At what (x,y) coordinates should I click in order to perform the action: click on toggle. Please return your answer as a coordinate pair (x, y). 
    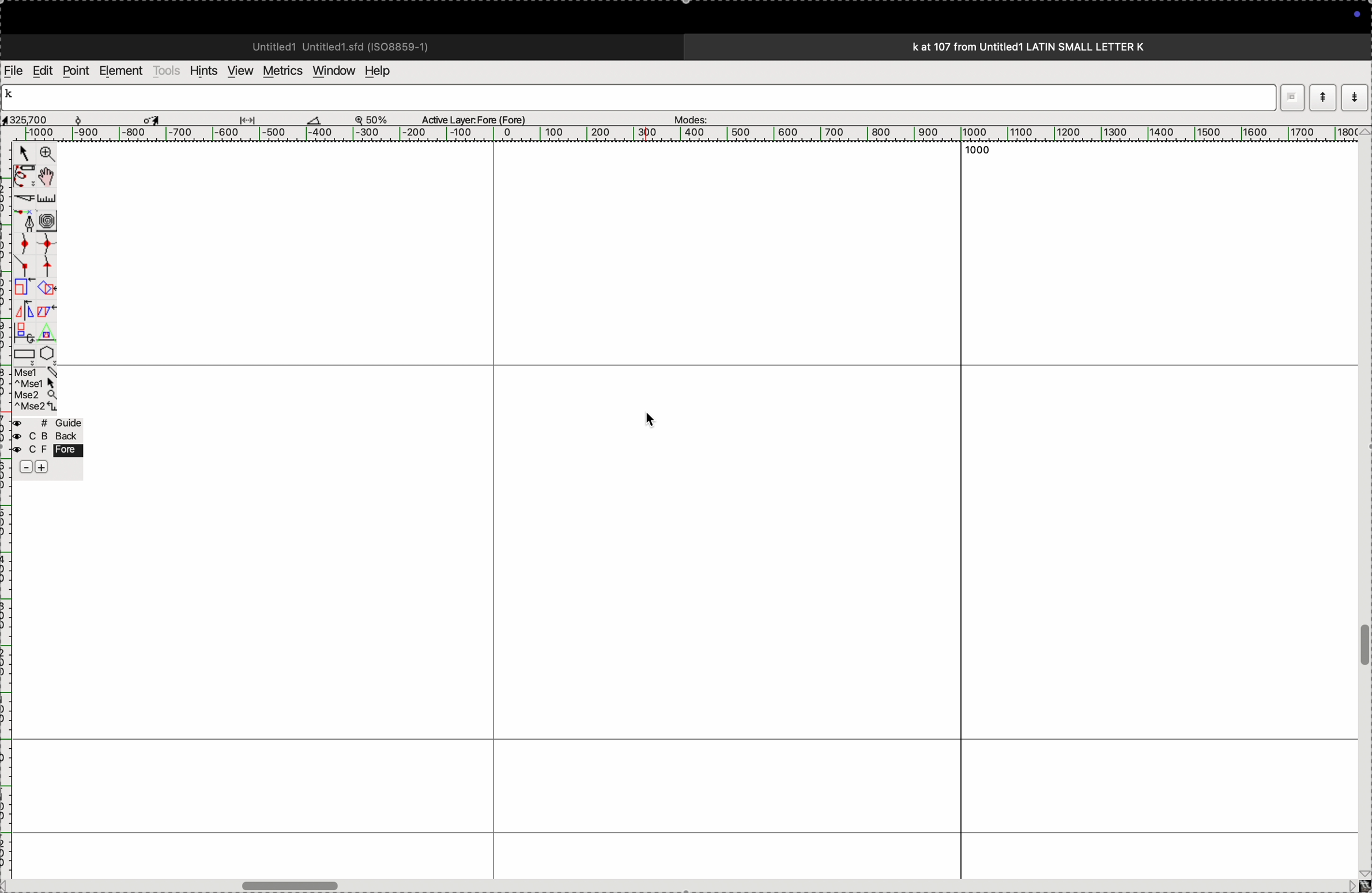
    Looking at the image, I should click on (50, 176).